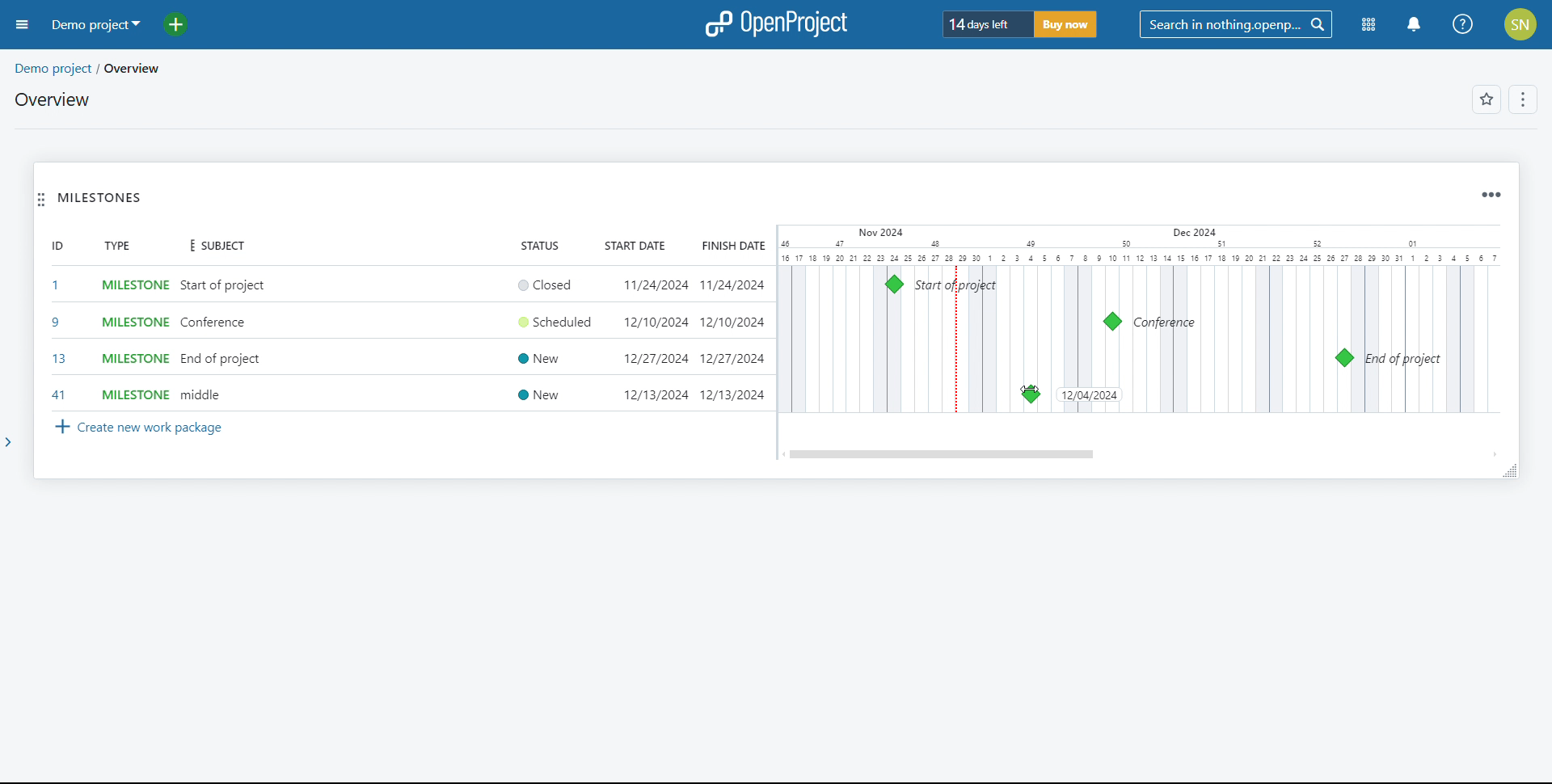 The width and height of the screenshot is (1552, 784). What do you see at coordinates (116, 245) in the screenshot?
I see `type` at bounding box center [116, 245].